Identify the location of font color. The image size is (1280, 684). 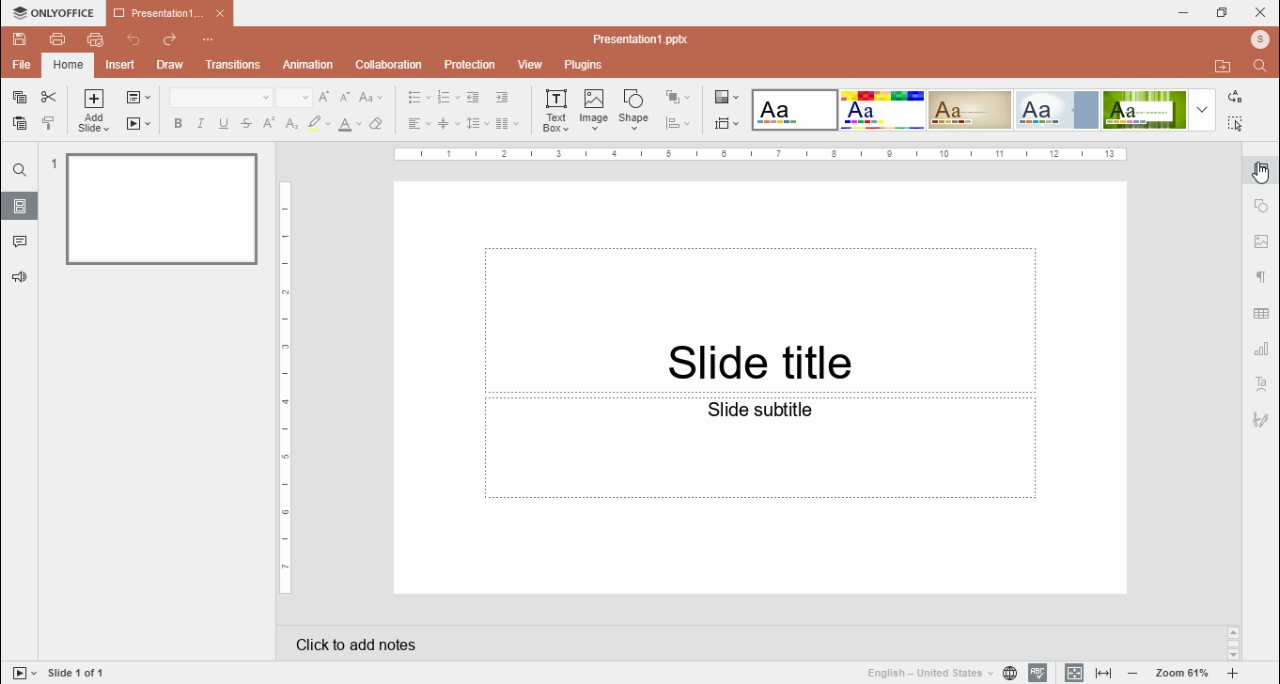
(350, 124).